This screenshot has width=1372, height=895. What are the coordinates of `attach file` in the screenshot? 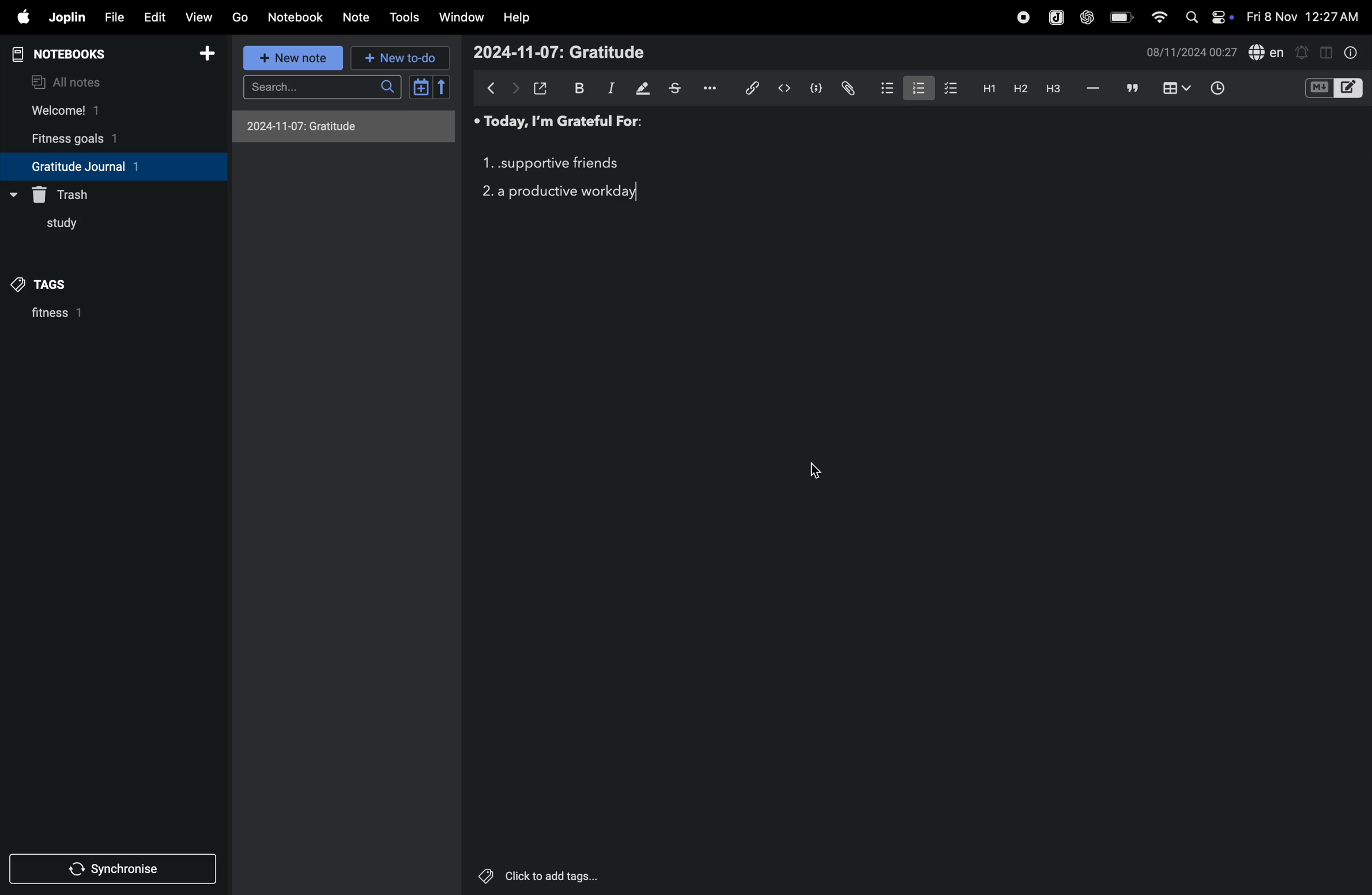 It's located at (847, 88).